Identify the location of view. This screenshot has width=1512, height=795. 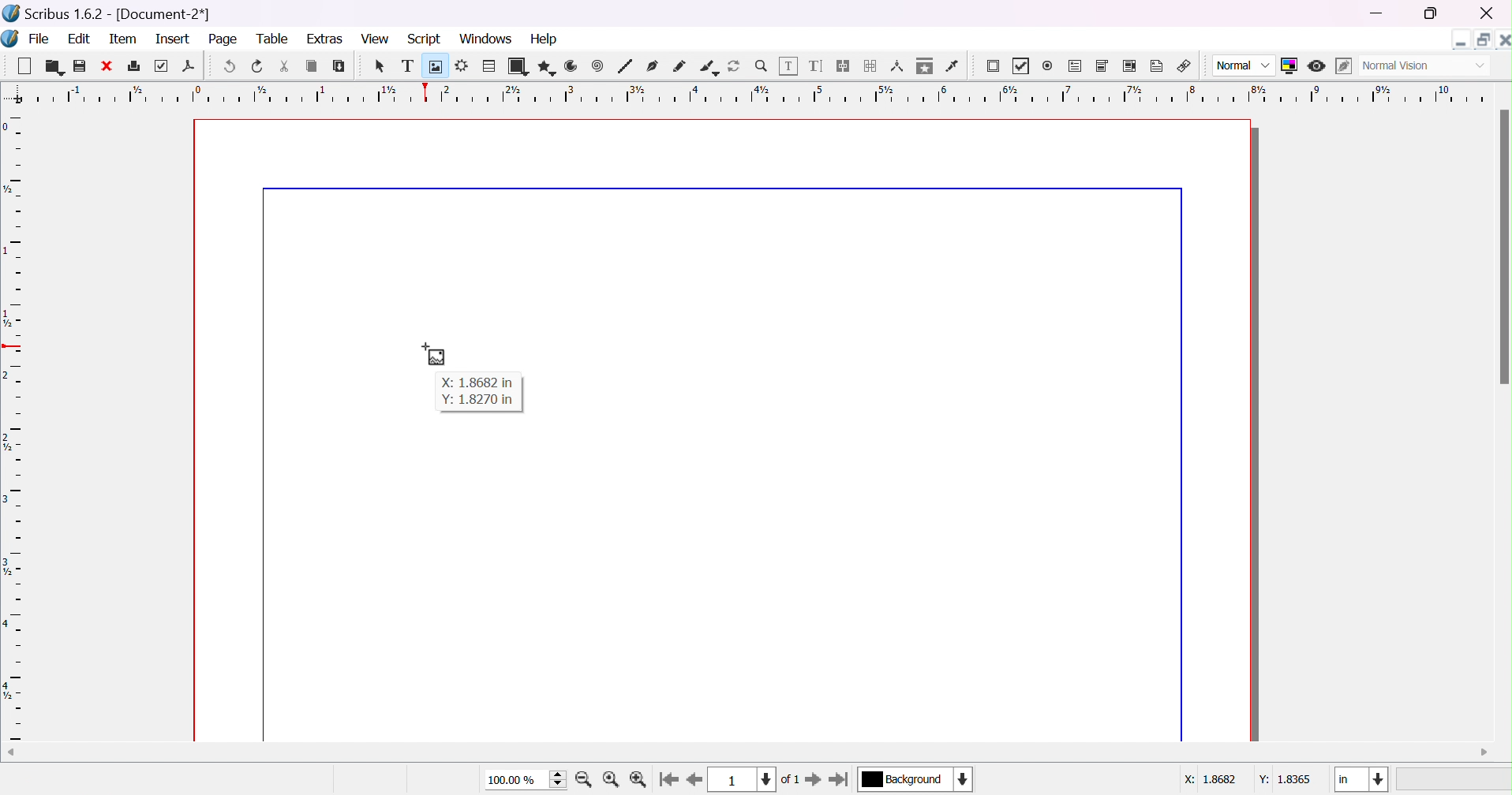
(372, 38).